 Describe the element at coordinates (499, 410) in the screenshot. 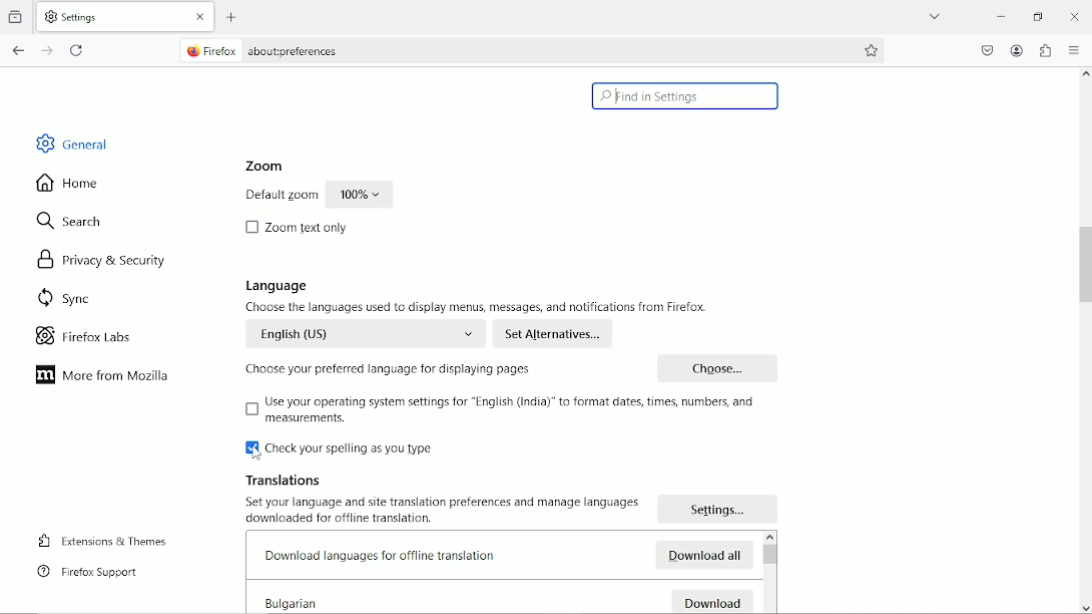

I see `Use your operating system settings for ''English (India)' to format dates, times,numbers and measurements.` at that location.